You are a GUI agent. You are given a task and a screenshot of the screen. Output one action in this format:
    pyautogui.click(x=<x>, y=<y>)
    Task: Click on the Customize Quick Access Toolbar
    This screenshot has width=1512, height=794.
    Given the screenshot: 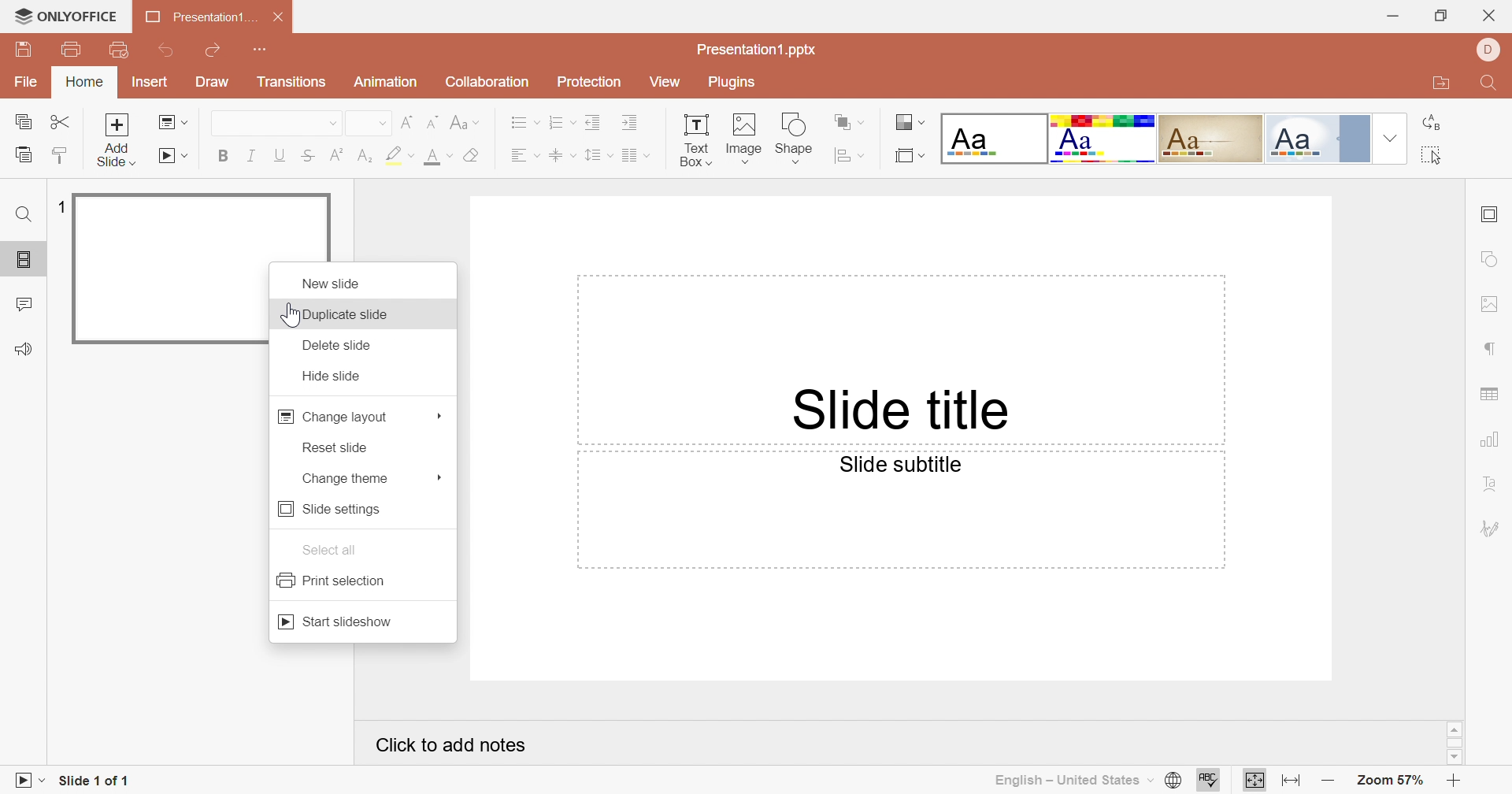 What is the action you would take?
    pyautogui.click(x=259, y=50)
    